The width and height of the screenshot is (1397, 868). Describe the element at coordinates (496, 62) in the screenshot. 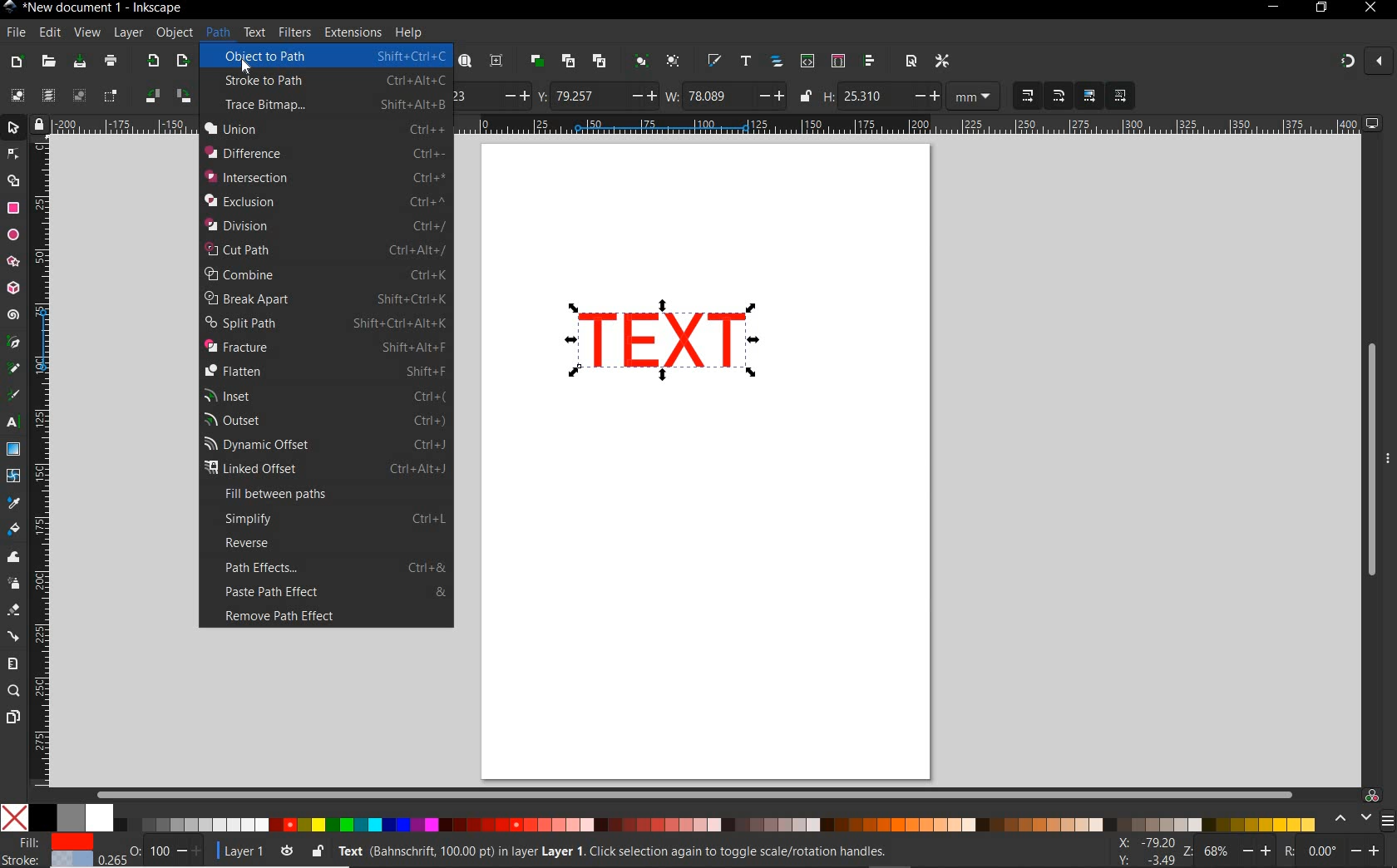

I see `ZOOM CENTER PAGE` at that location.